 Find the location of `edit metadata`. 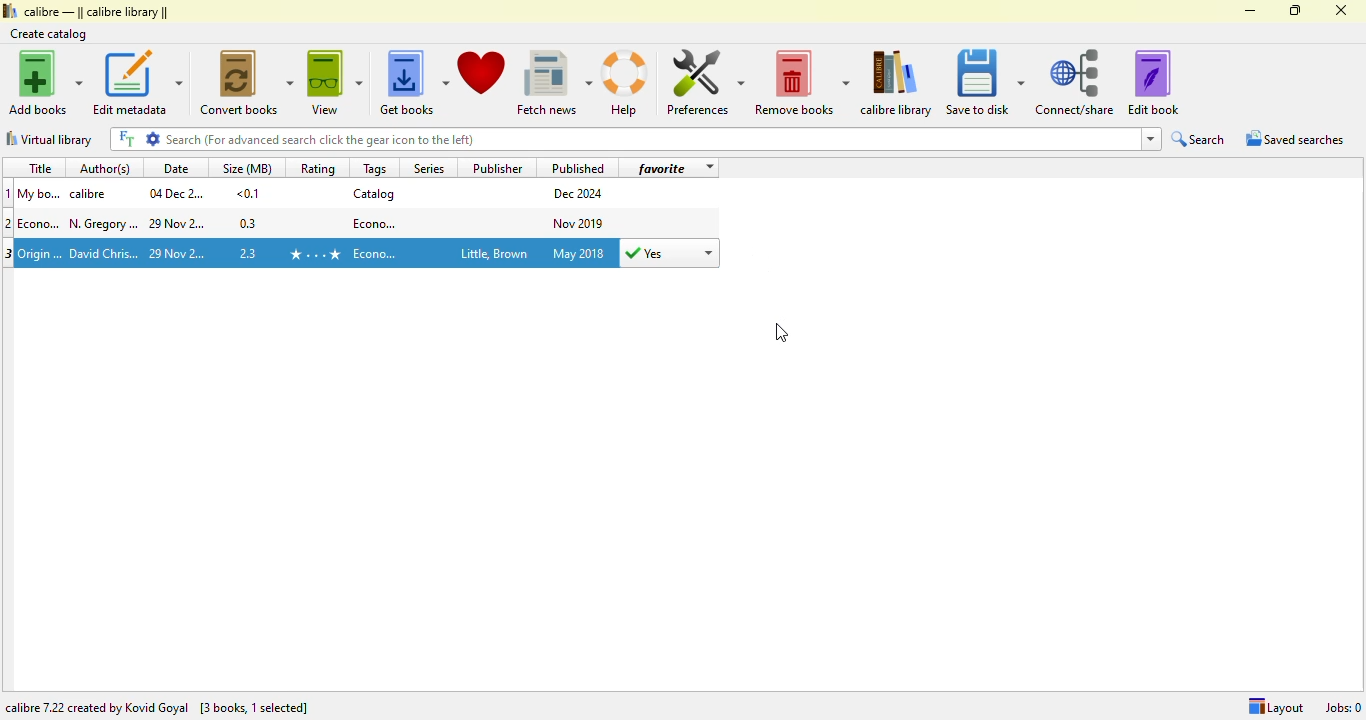

edit metadata is located at coordinates (137, 82).